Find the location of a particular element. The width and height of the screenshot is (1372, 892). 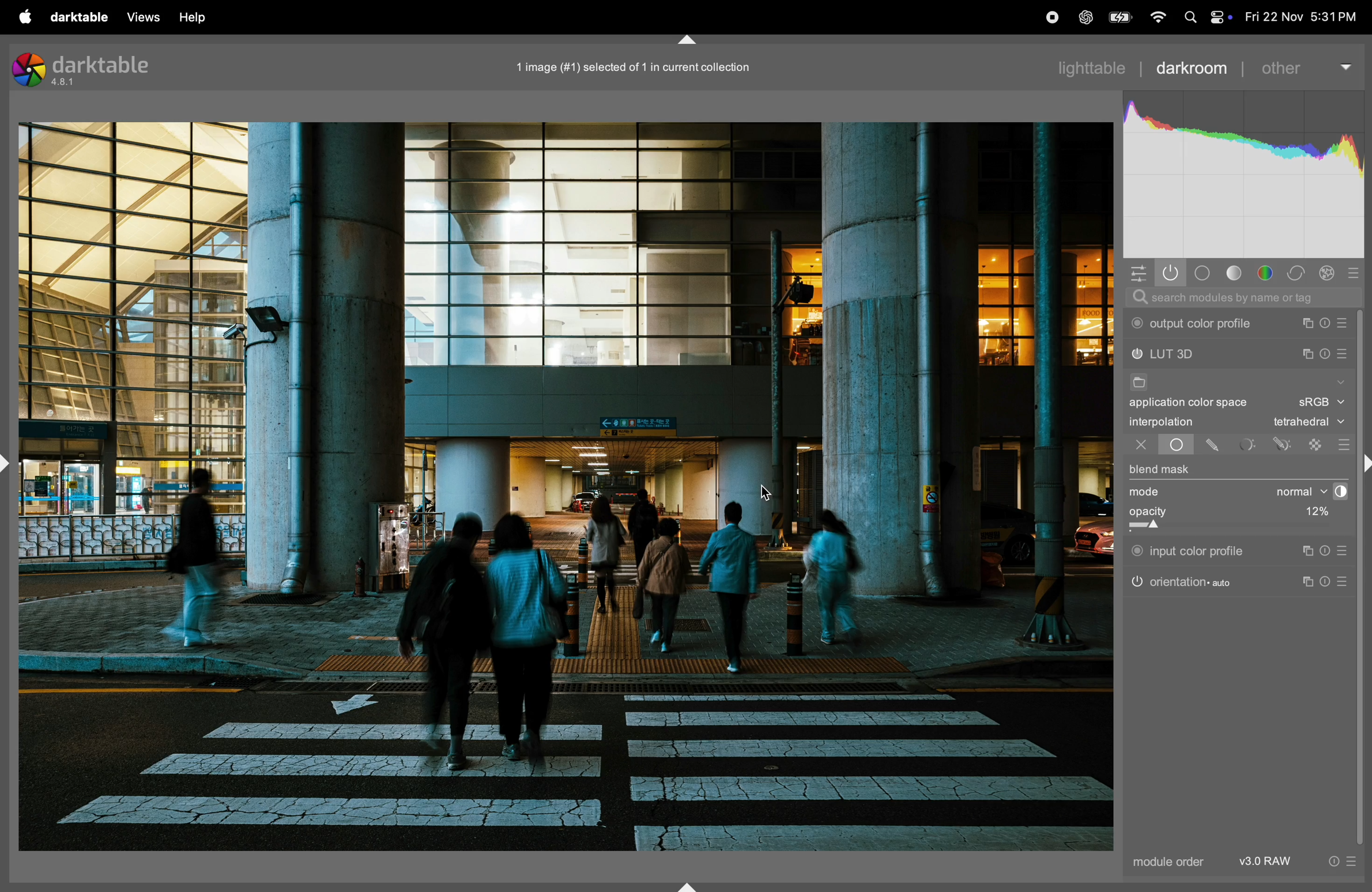

scroll bar is located at coordinates (1364, 578).